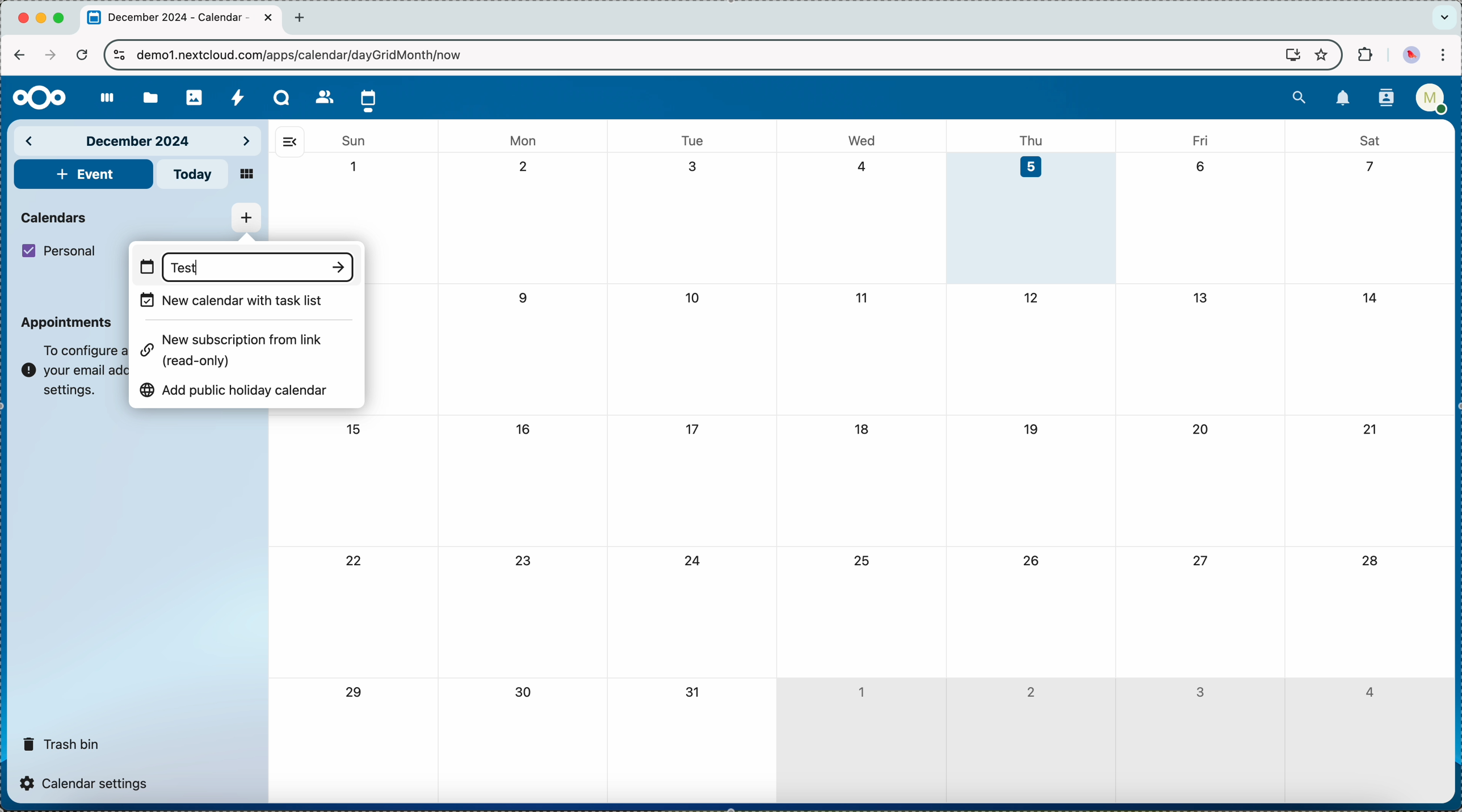  What do you see at coordinates (860, 689) in the screenshot?
I see `1` at bounding box center [860, 689].